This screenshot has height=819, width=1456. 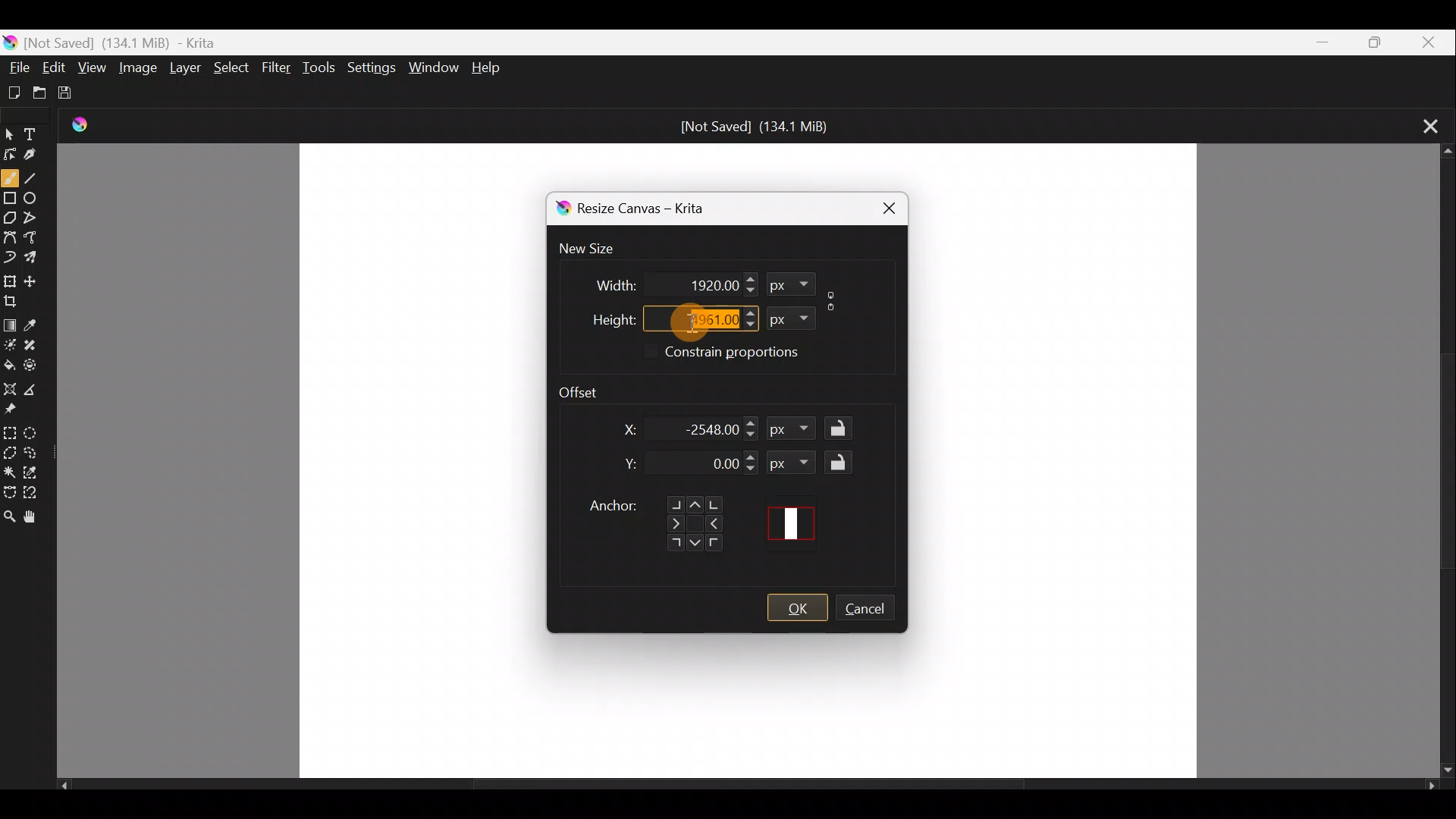 What do you see at coordinates (654, 518) in the screenshot?
I see `Anchor` at bounding box center [654, 518].